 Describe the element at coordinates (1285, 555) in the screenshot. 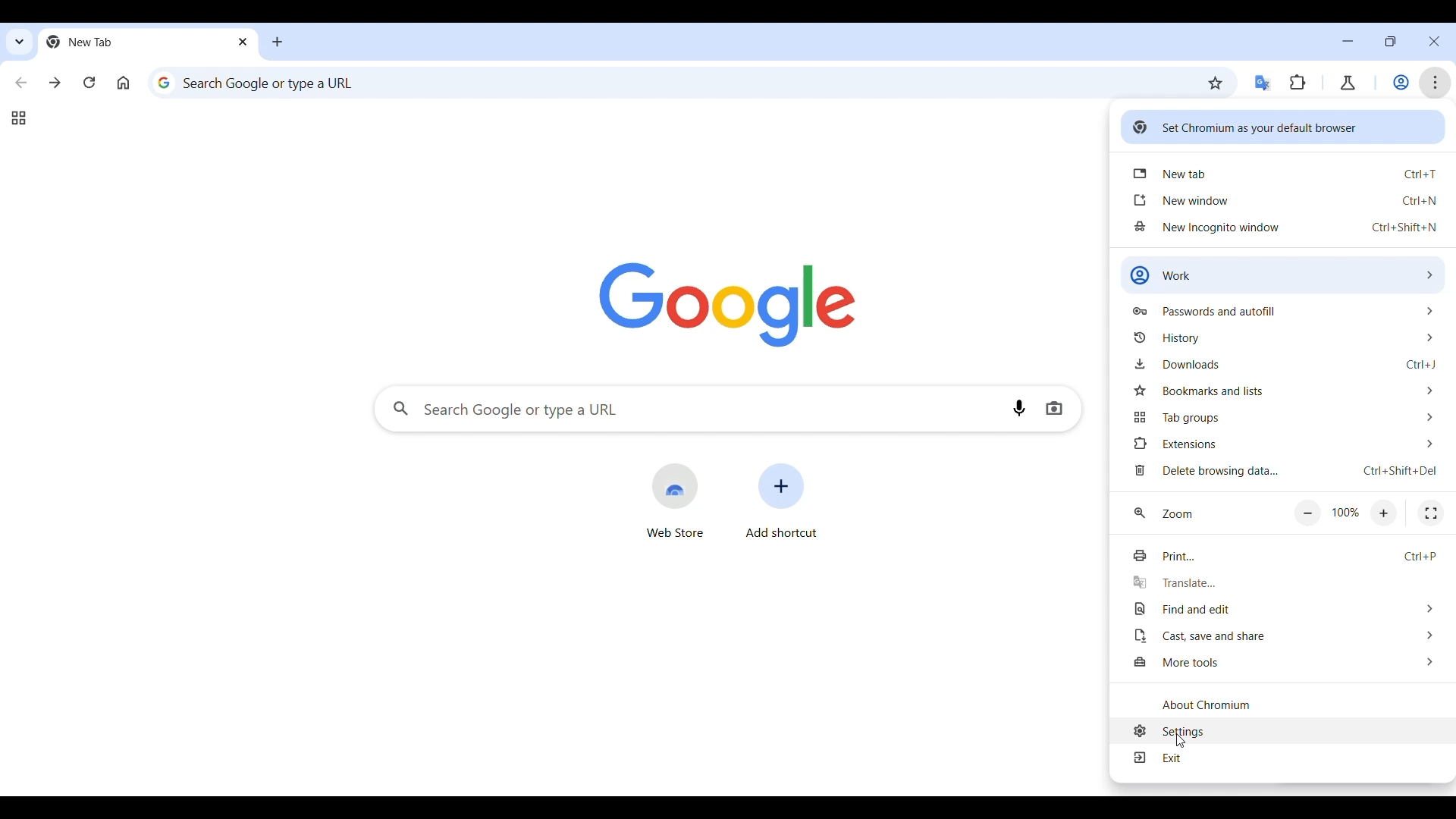

I see `Print` at that location.